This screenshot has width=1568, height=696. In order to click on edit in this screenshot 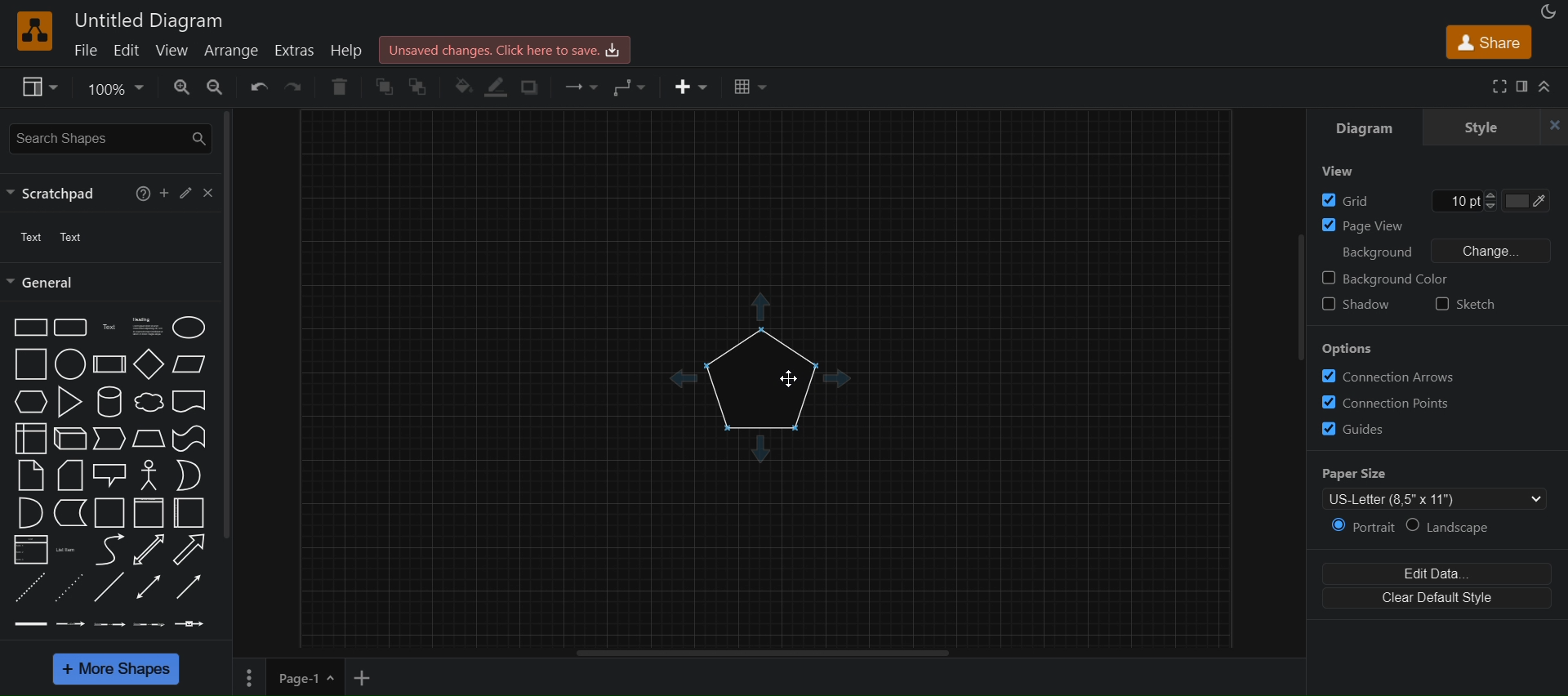, I will do `click(130, 49)`.